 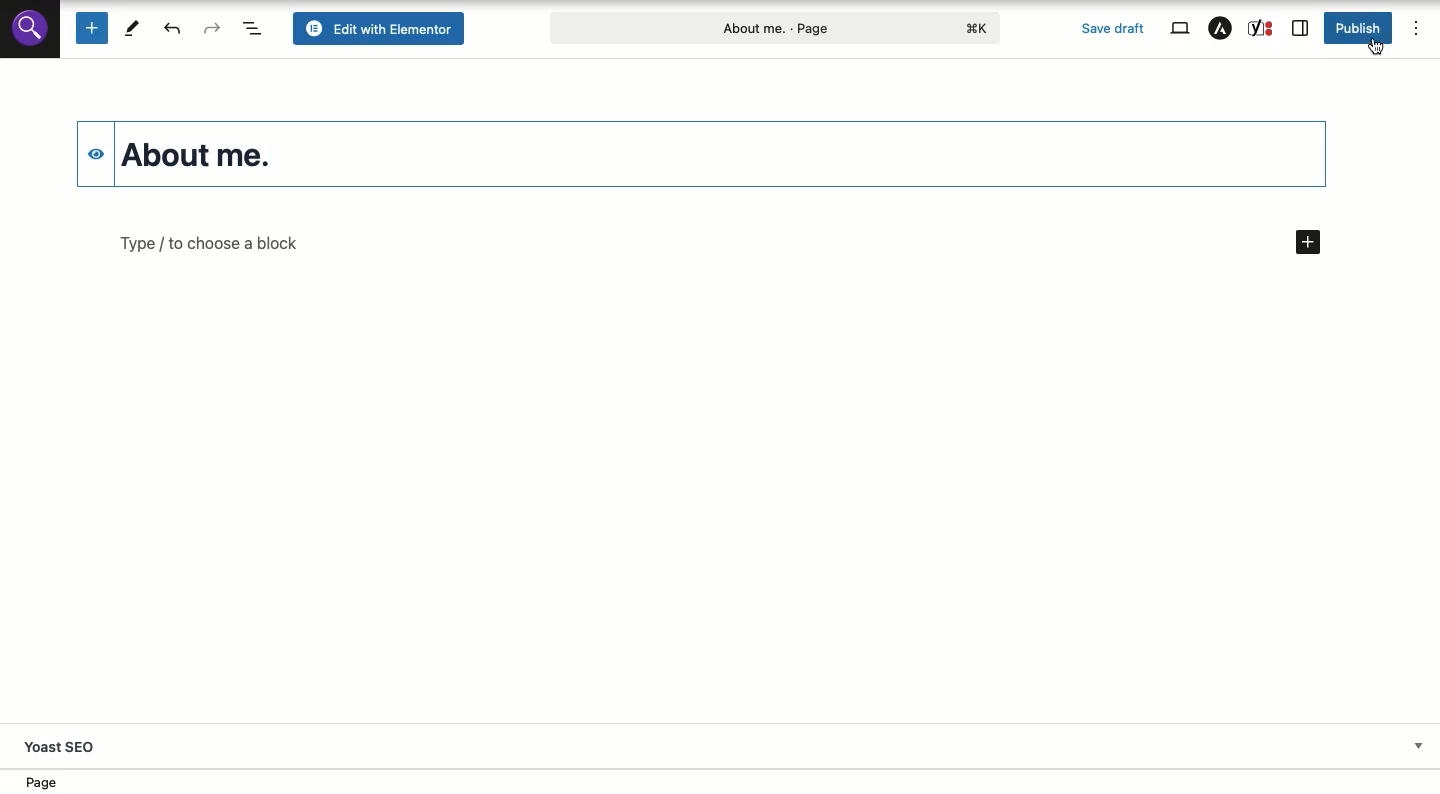 What do you see at coordinates (779, 26) in the screenshot?
I see `About me - Page` at bounding box center [779, 26].